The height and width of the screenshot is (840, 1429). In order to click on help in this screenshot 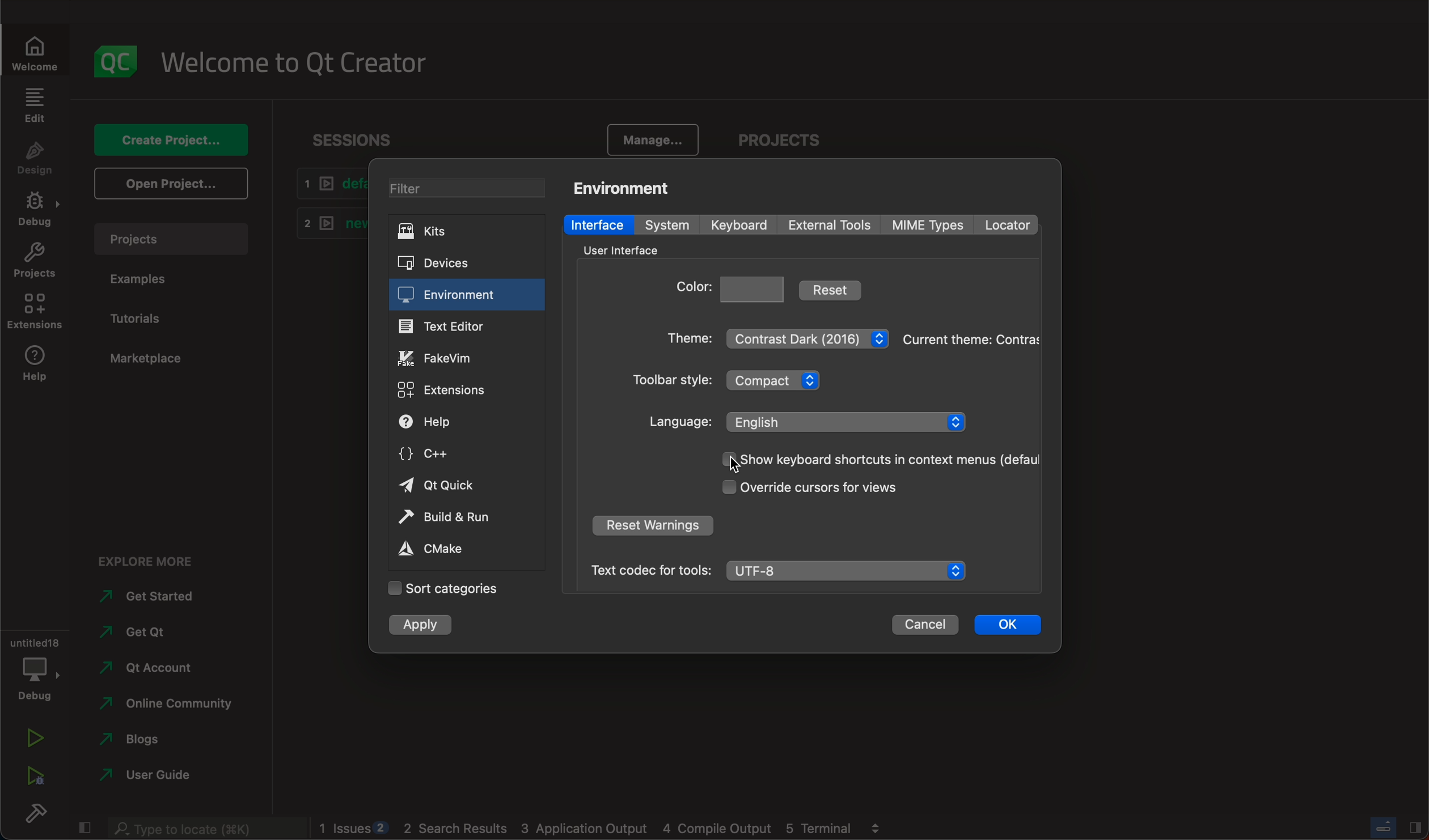, I will do `click(453, 423)`.